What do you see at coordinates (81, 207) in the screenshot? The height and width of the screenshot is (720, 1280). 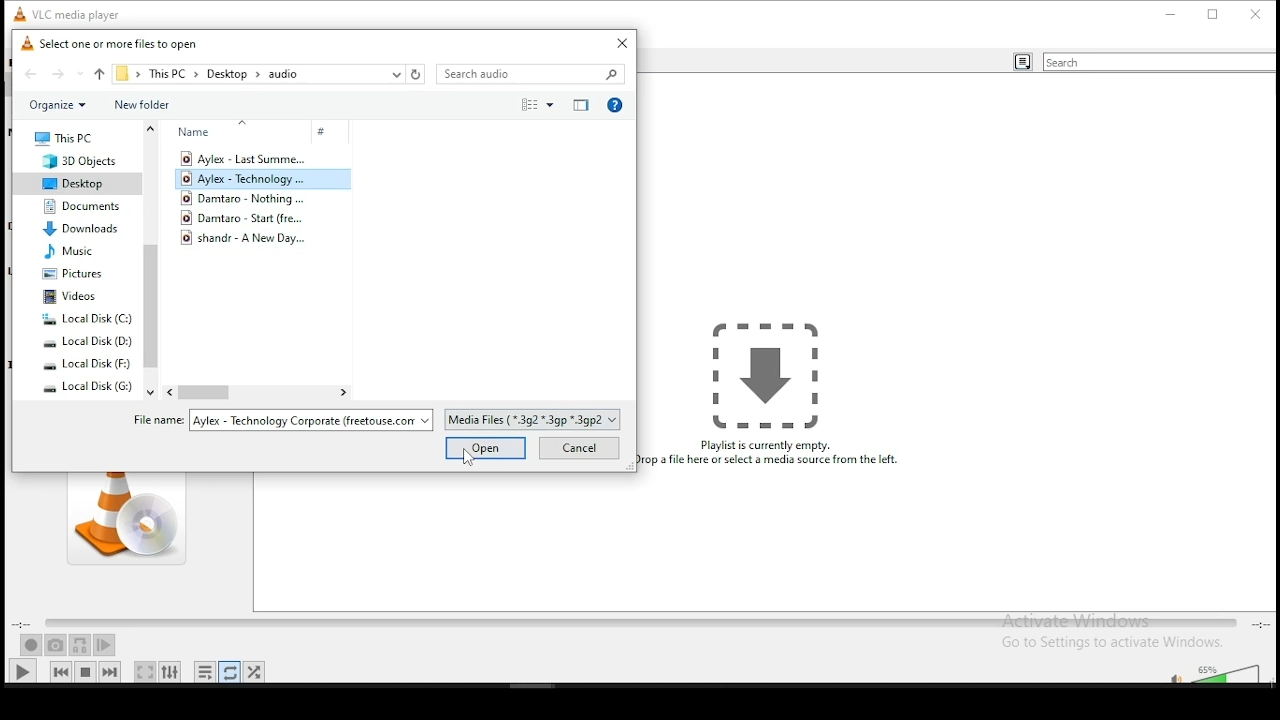 I see `documents` at bounding box center [81, 207].